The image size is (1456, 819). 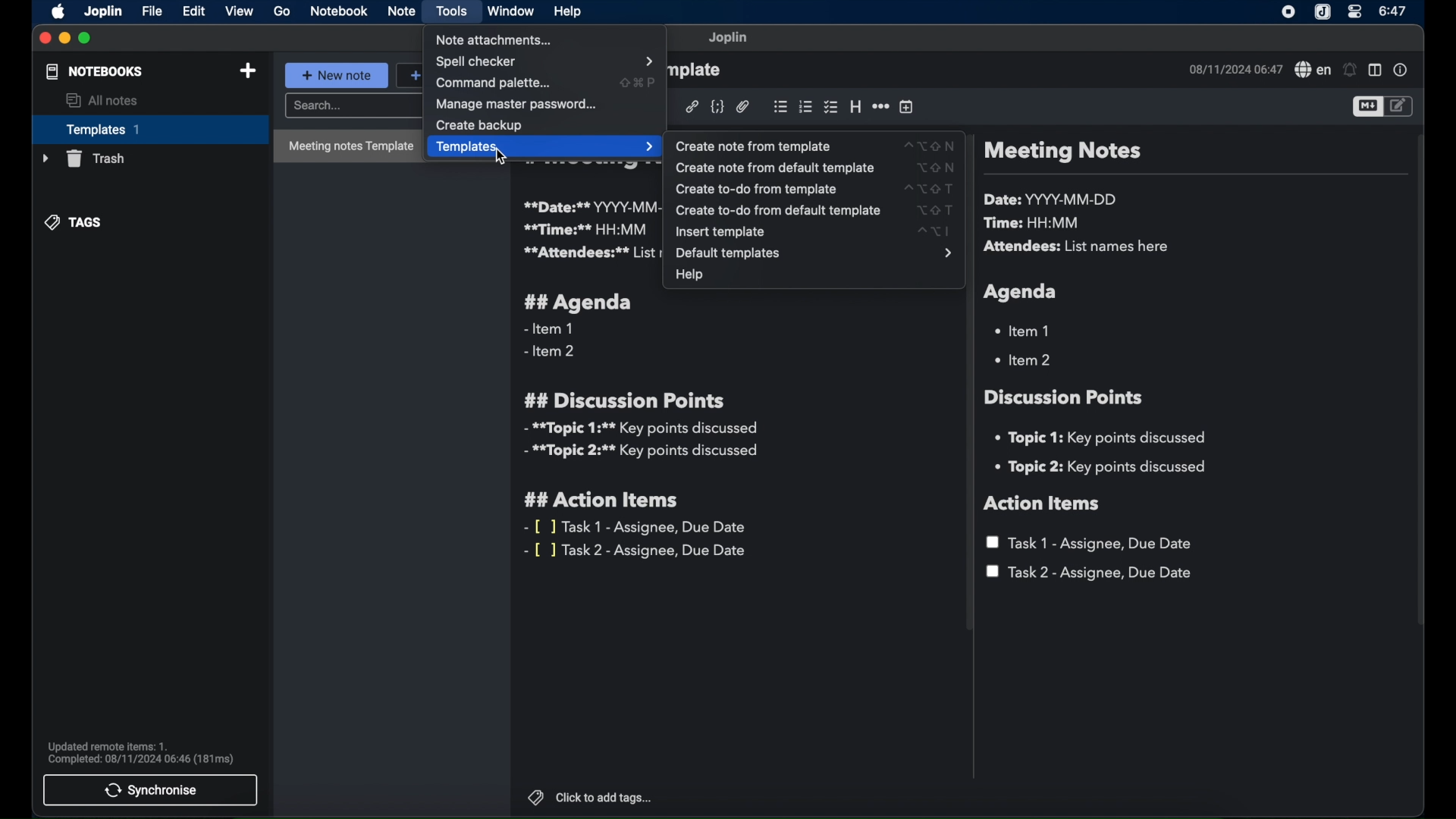 What do you see at coordinates (816, 232) in the screenshot?
I see `insert template` at bounding box center [816, 232].